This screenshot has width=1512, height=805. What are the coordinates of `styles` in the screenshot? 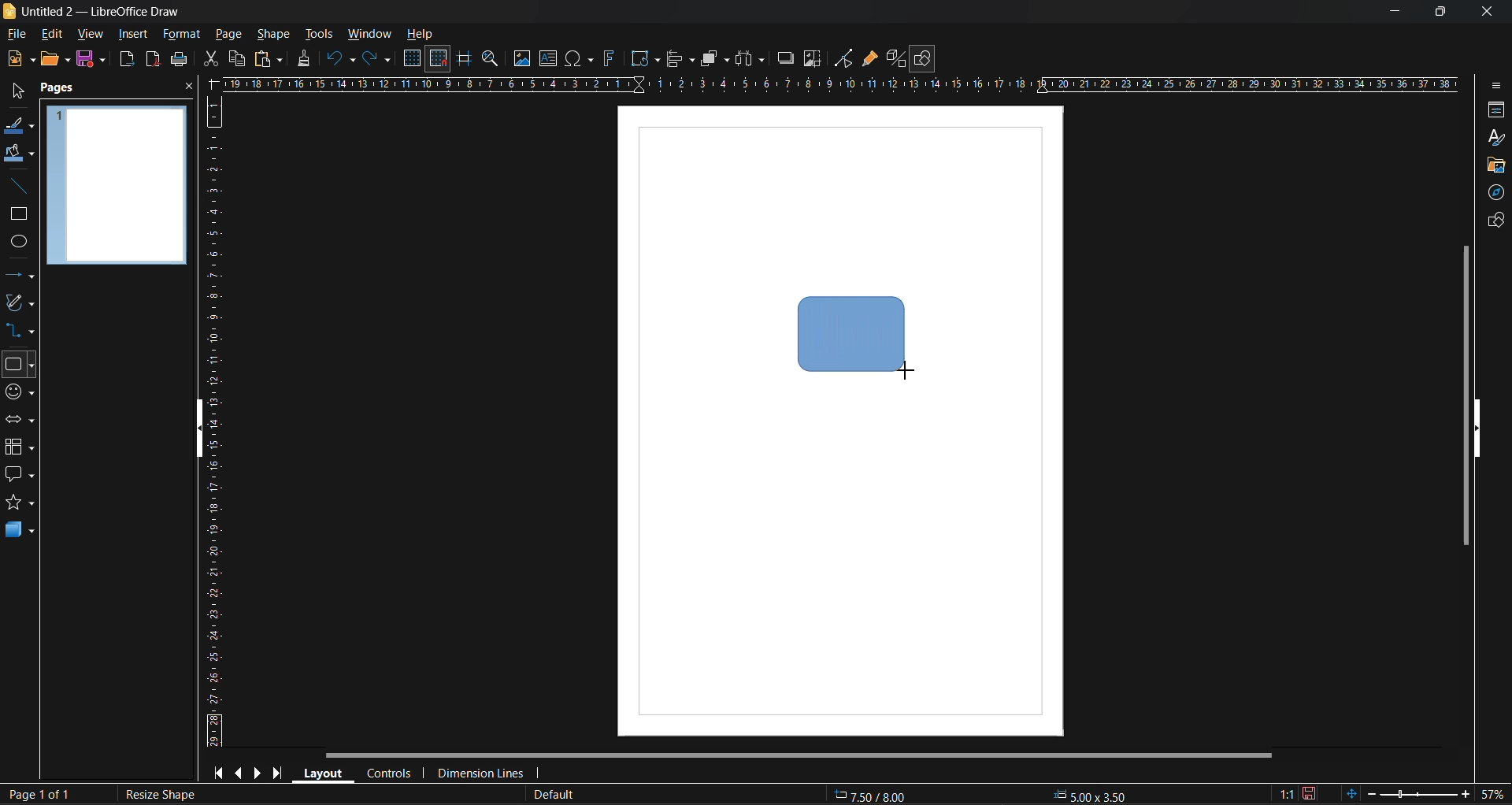 It's located at (1497, 139).